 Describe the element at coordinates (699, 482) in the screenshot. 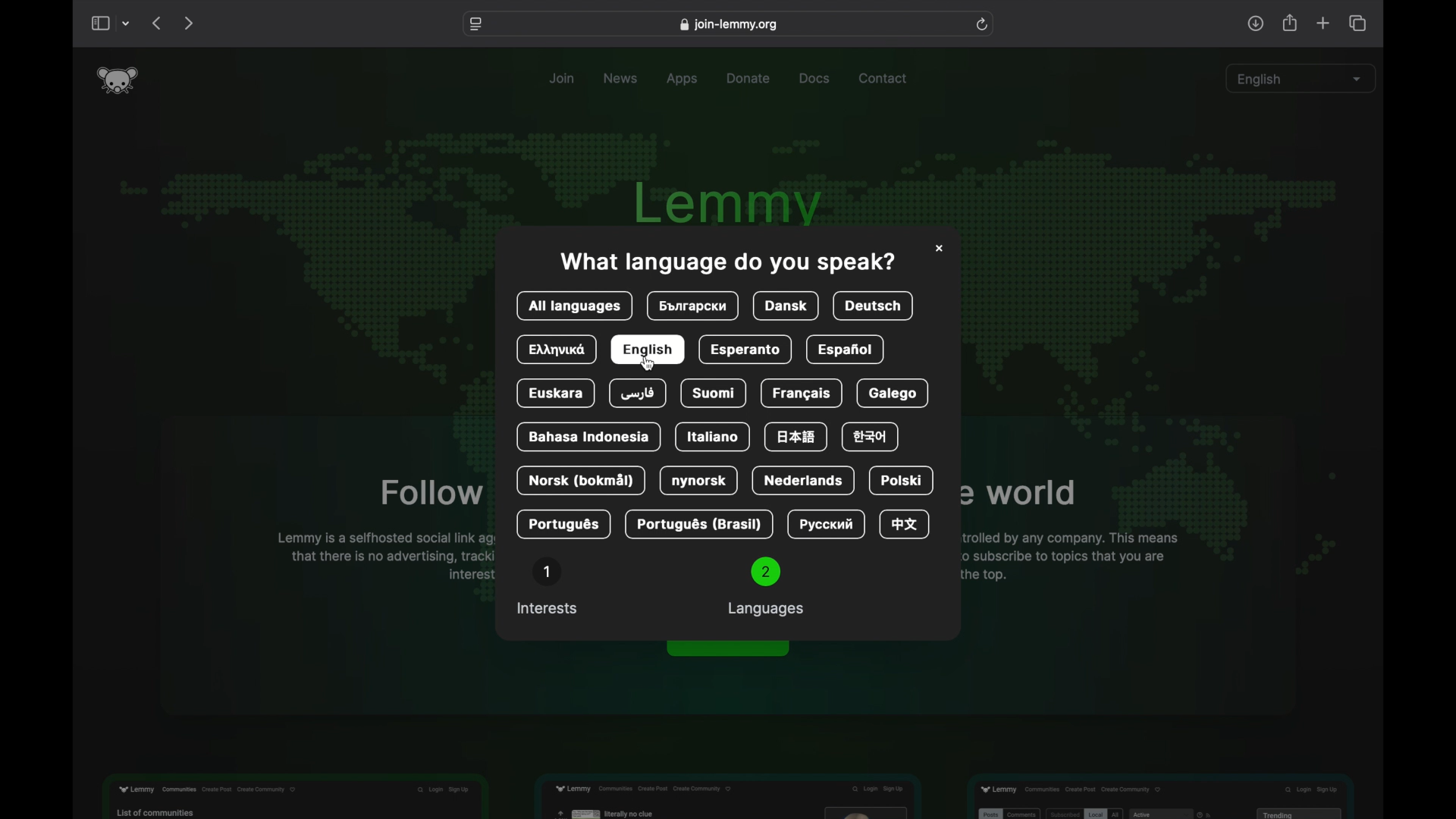

I see `nynorsk` at that location.